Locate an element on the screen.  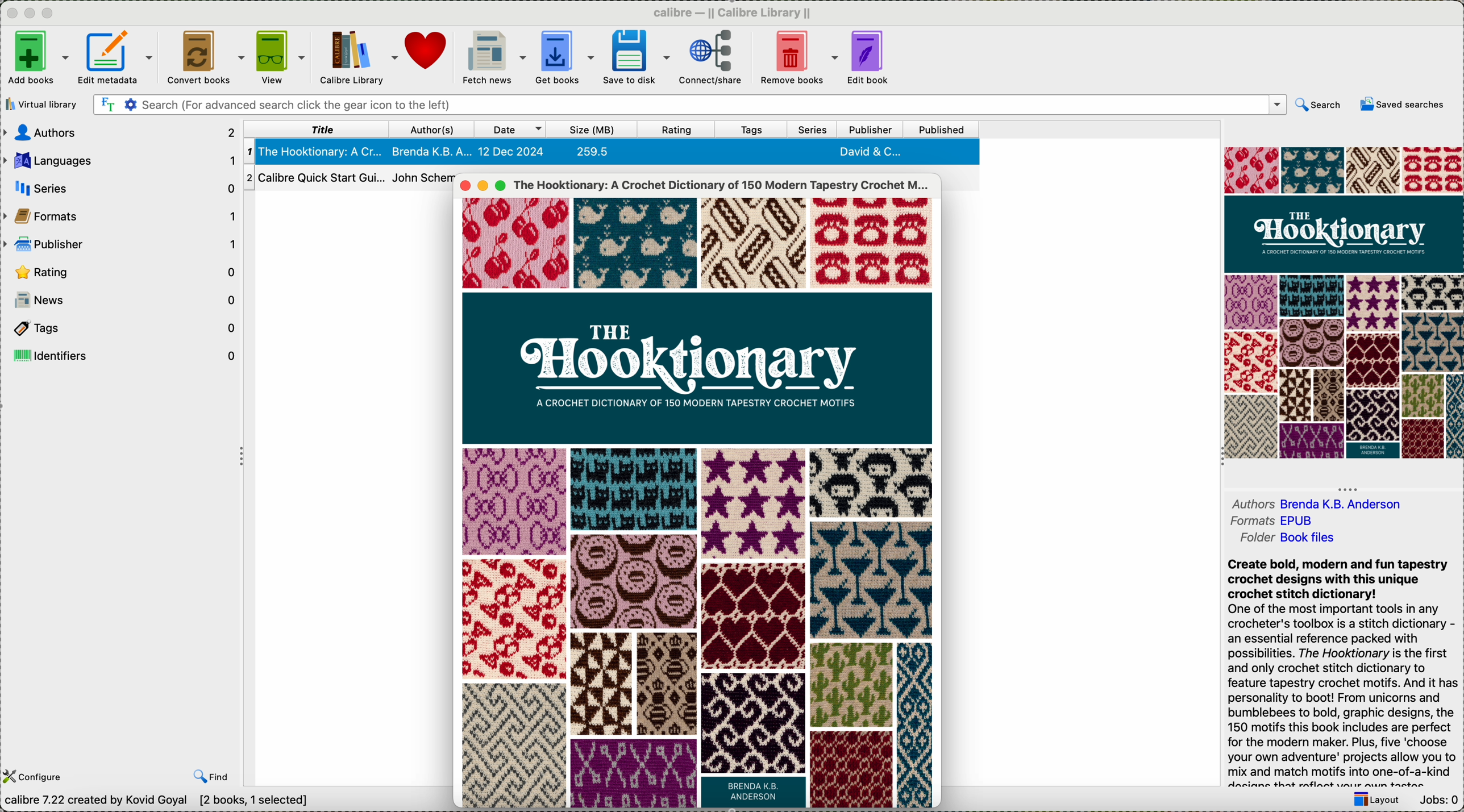
author(s) is located at coordinates (432, 130).